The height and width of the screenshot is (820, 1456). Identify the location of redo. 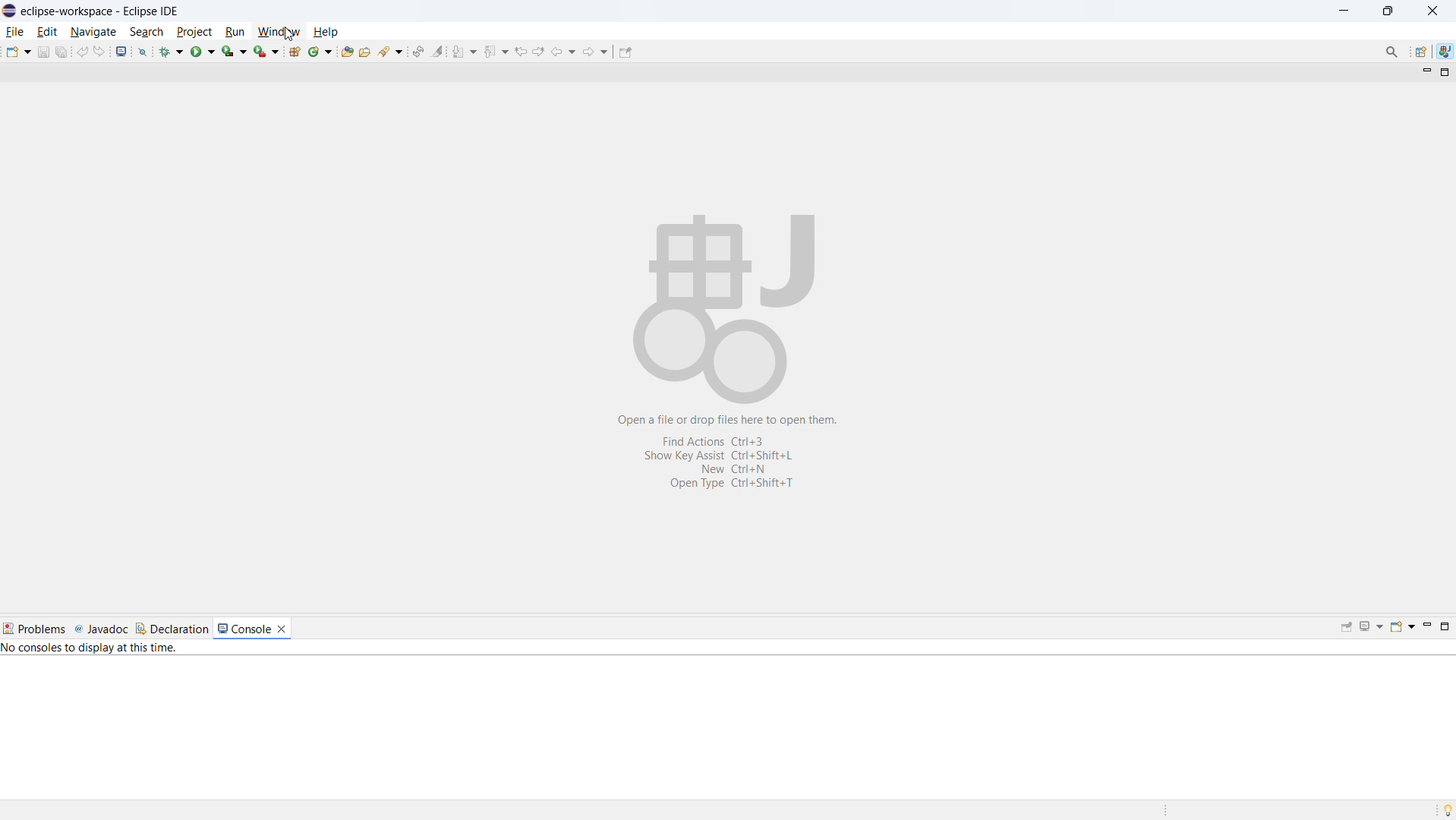
(99, 51).